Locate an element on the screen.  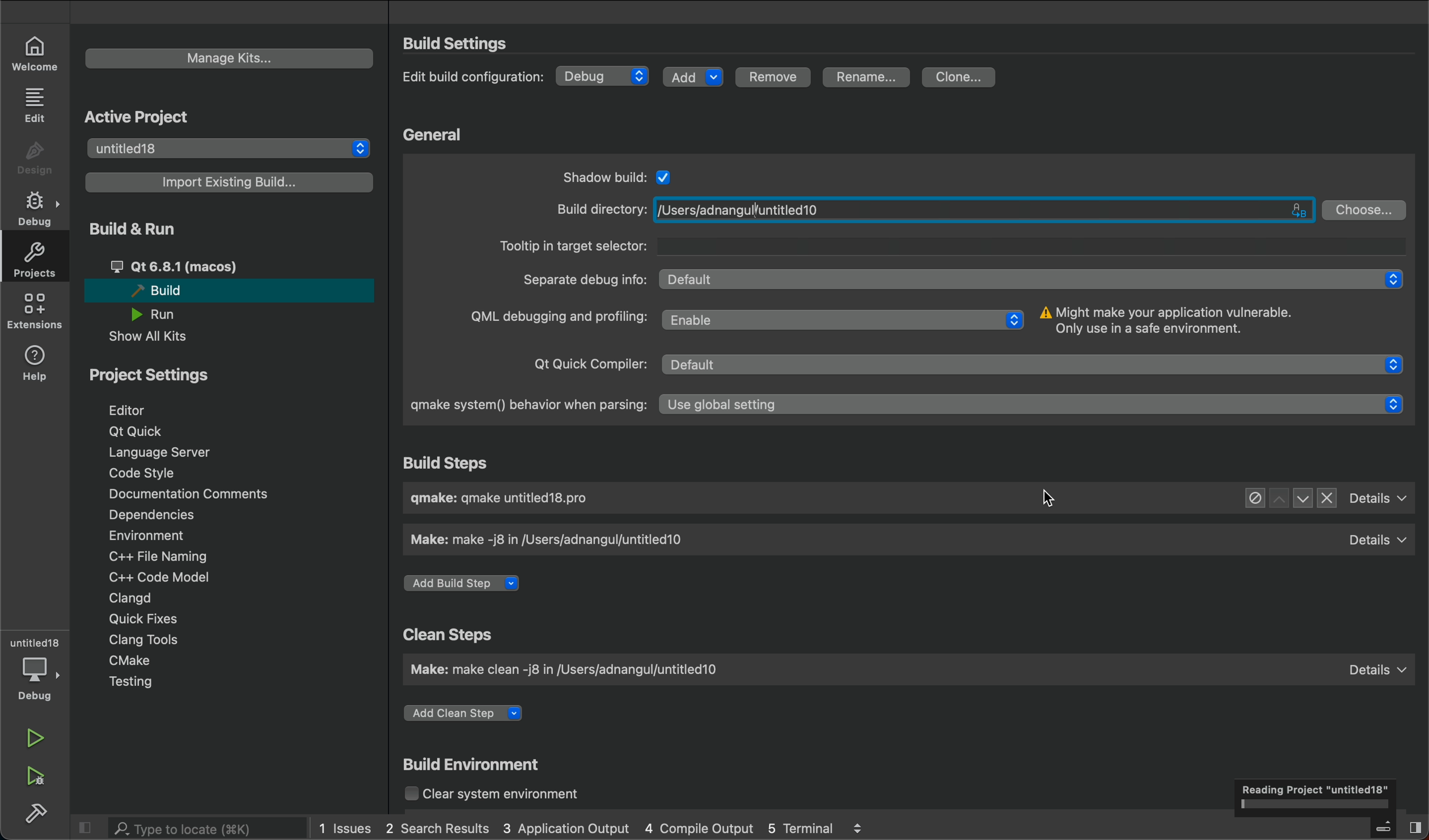
add clean step is located at coordinates (479, 710).